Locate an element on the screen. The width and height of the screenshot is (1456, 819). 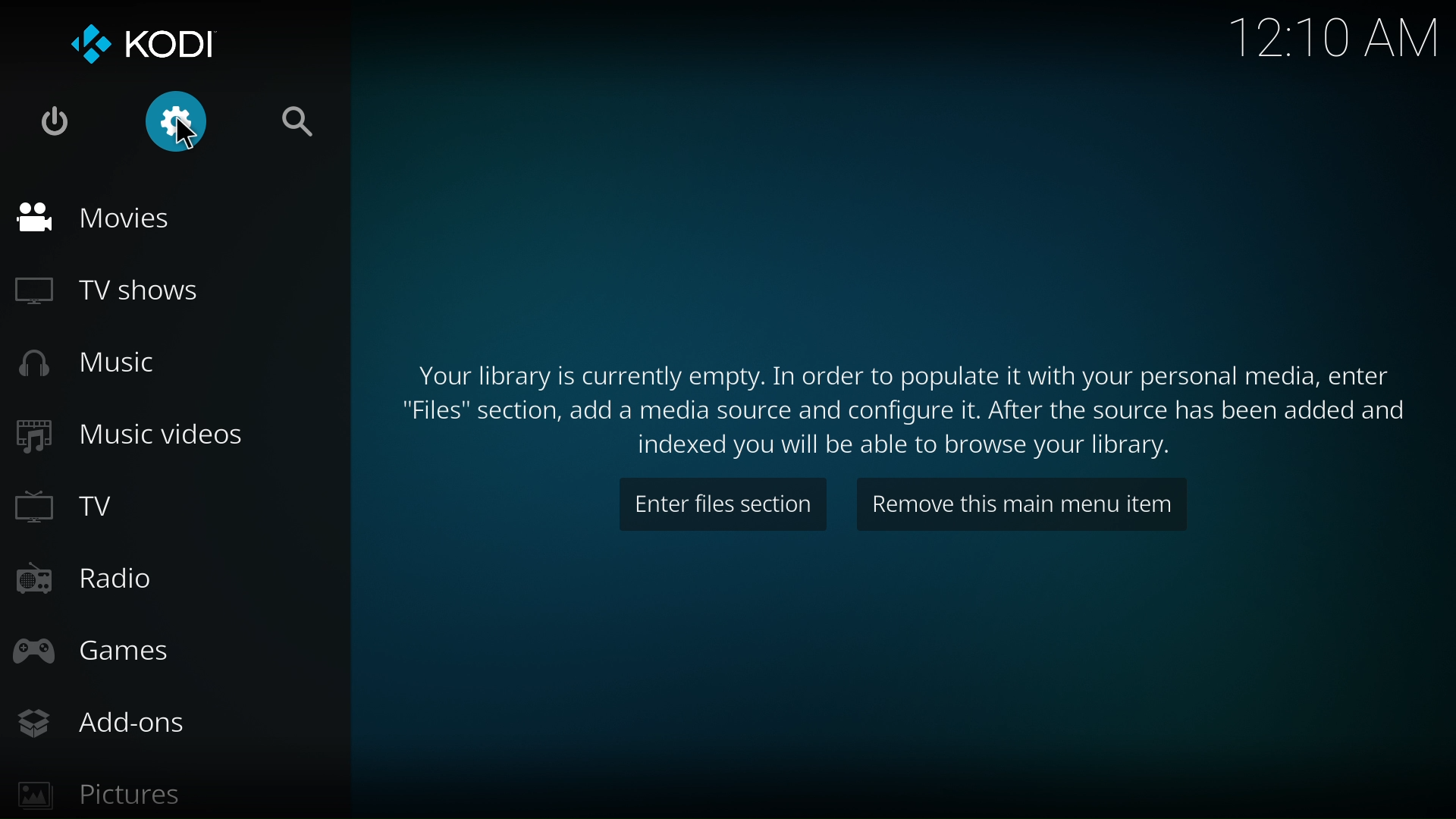
Your library is currently empty. In order to populate it with your personal media, enter
"Files" section, add a media source and configure it. After the source has been added and
indexed you will be able to browse your library. is located at coordinates (900, 405).